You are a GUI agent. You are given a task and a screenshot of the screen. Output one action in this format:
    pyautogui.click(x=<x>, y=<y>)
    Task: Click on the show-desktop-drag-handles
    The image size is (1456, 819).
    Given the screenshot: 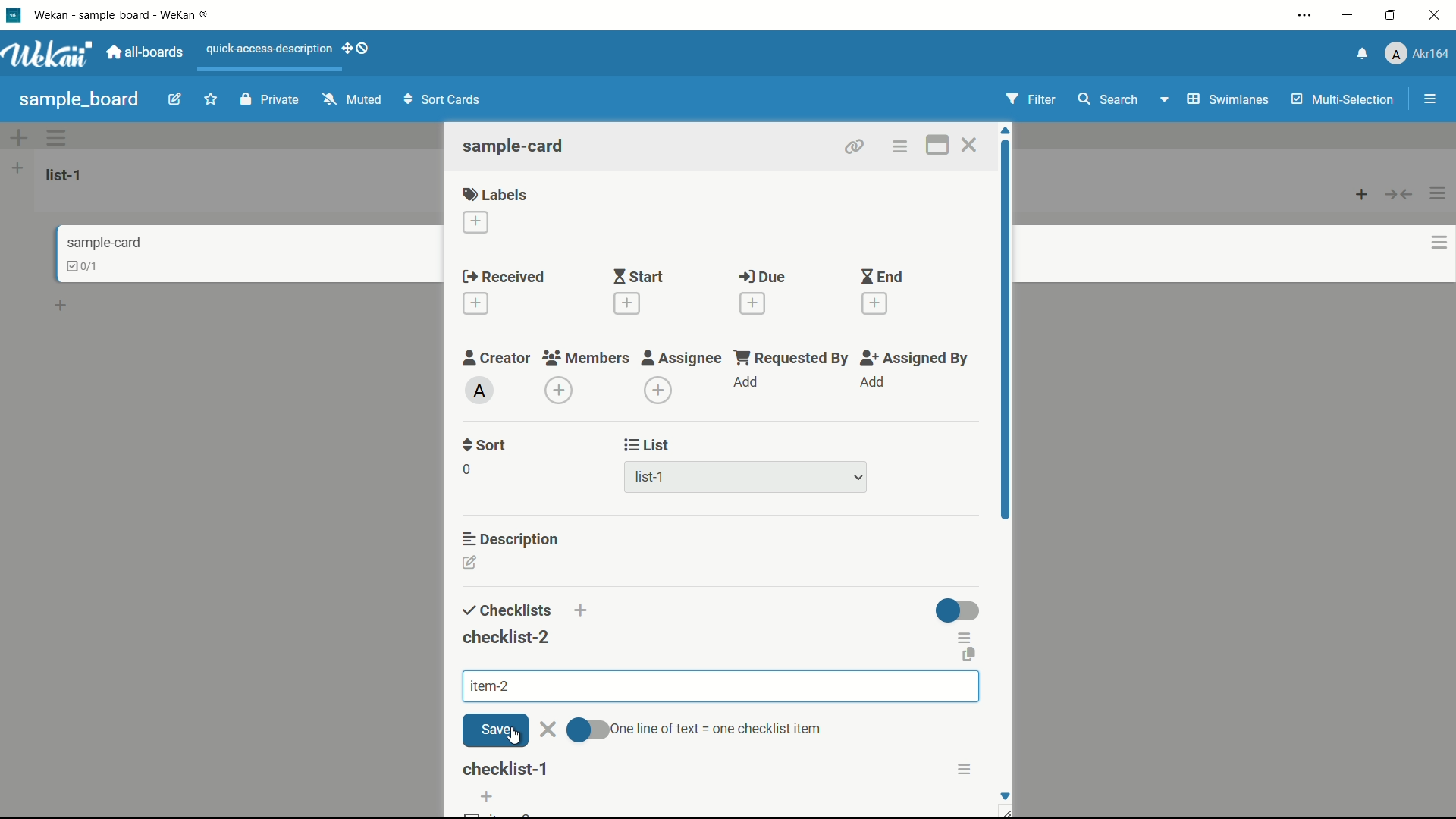 What is the action you would take?
    pyautogui.click(x=358, y=47)
    